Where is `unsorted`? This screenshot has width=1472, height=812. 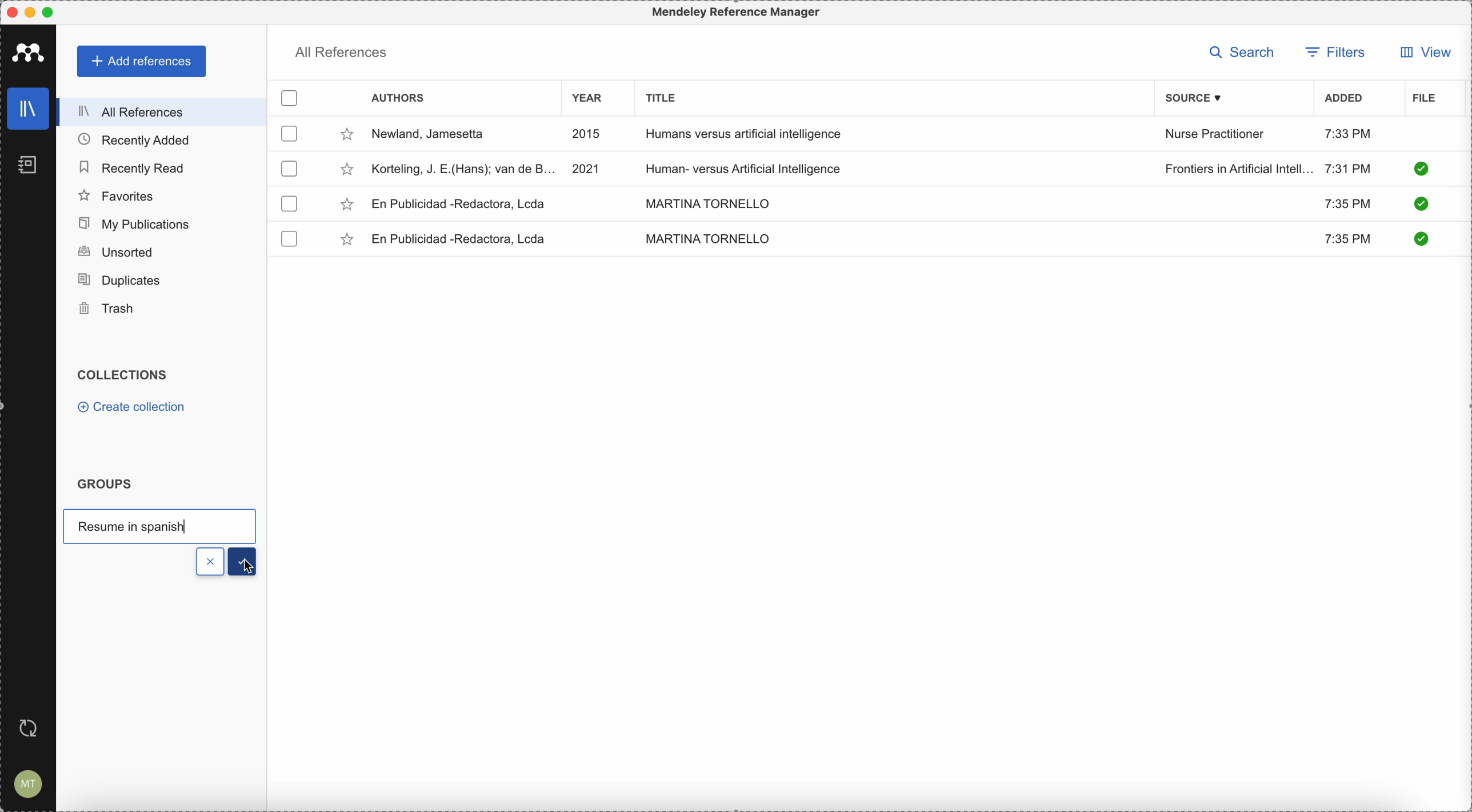
unsorted is located at coordinates (115, 251).